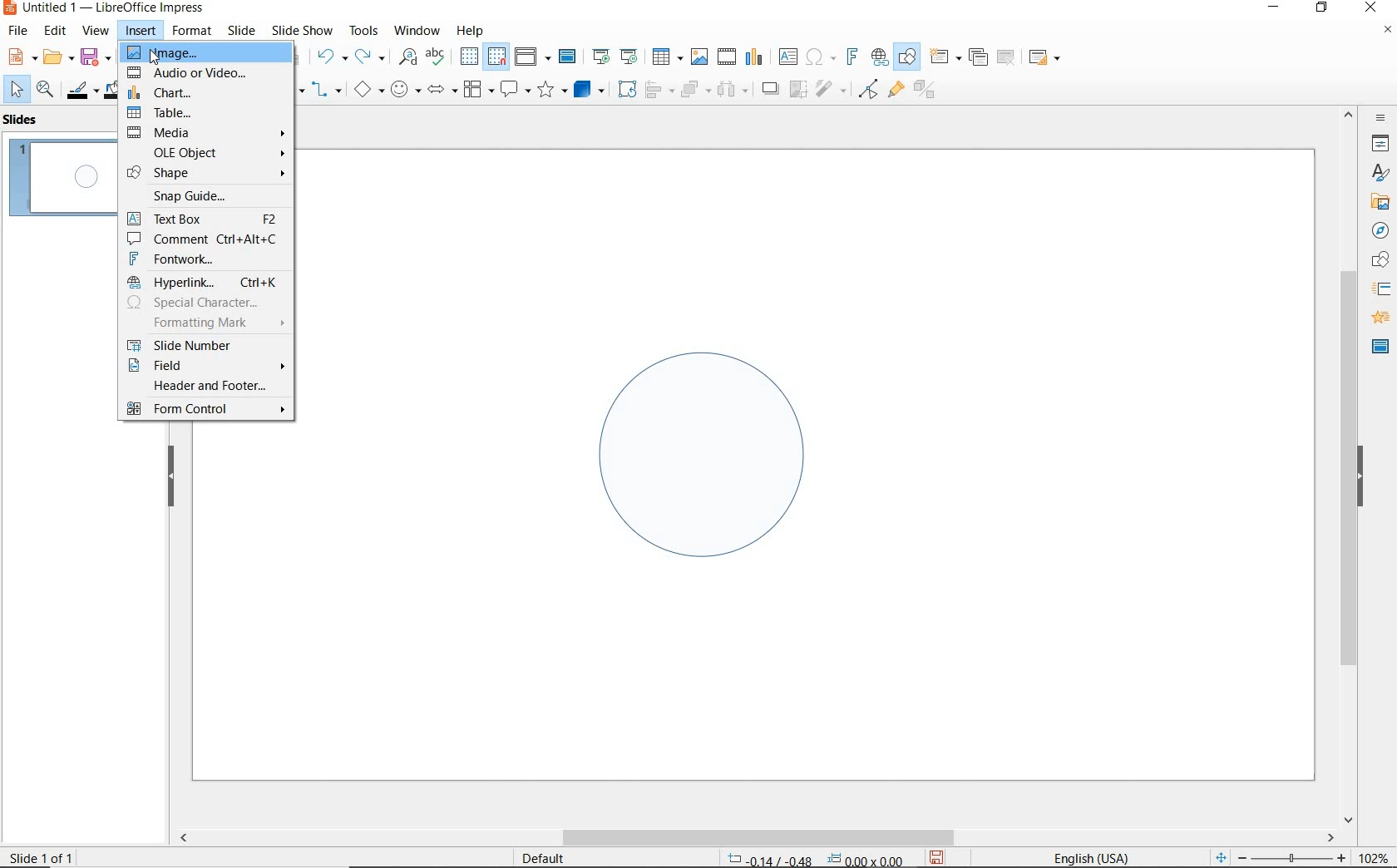  What do you see at coordinates (1276, 9) in the screenshot?
I see `minimize` at bounding box center [1276, 9].